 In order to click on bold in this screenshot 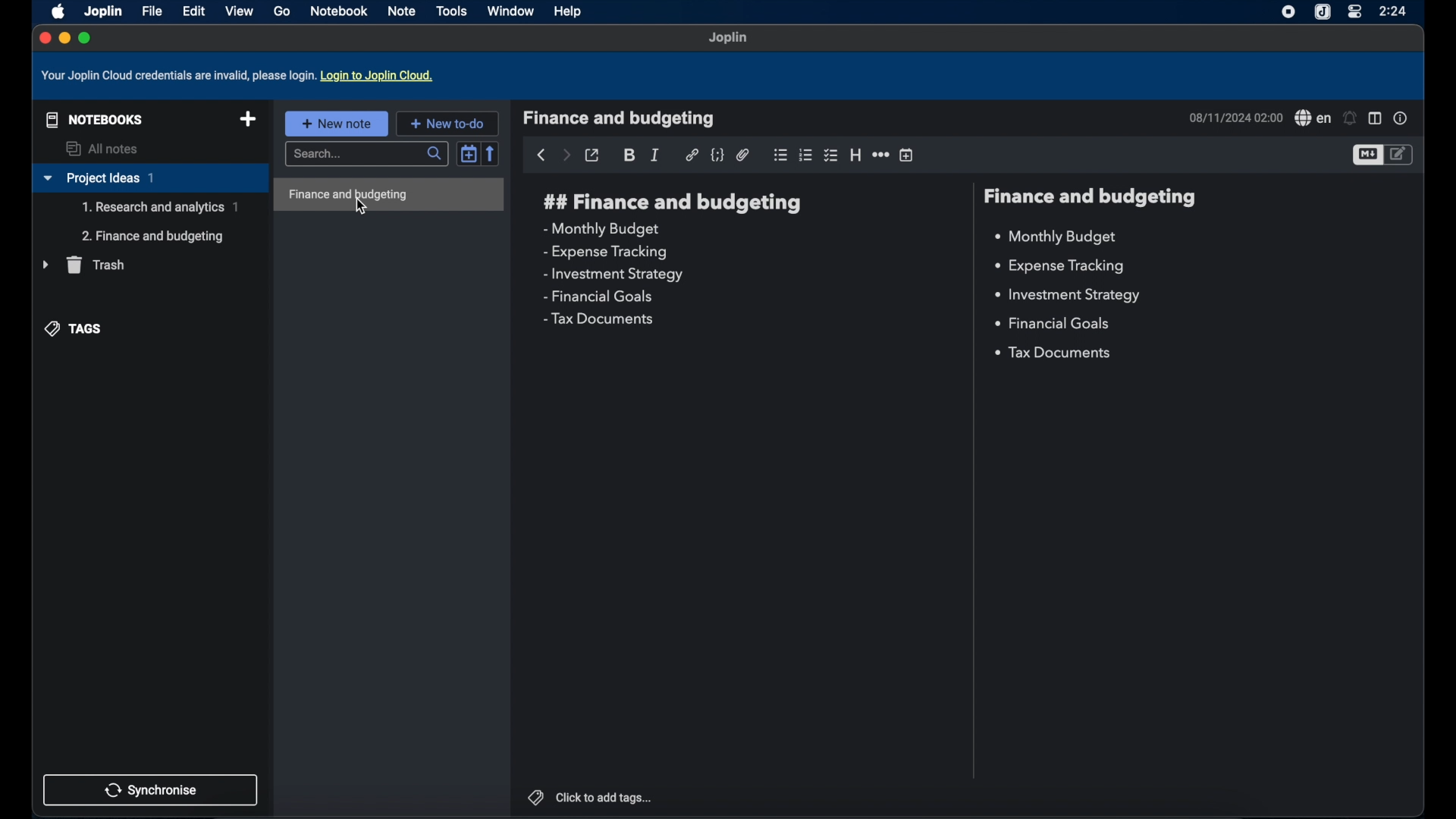, I will do `click(630, 155)`.